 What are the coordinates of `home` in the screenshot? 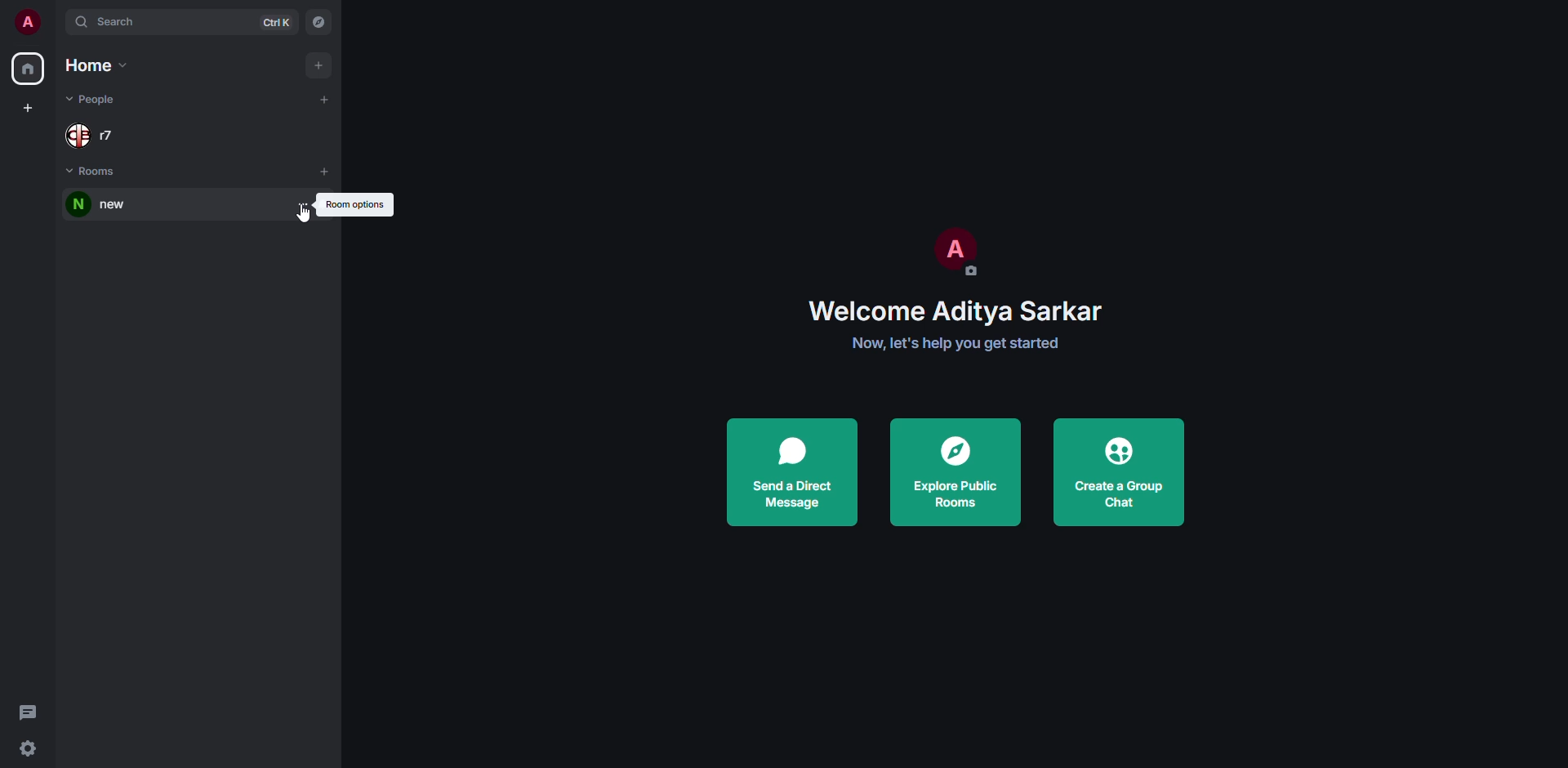 It's located at (105, 65).